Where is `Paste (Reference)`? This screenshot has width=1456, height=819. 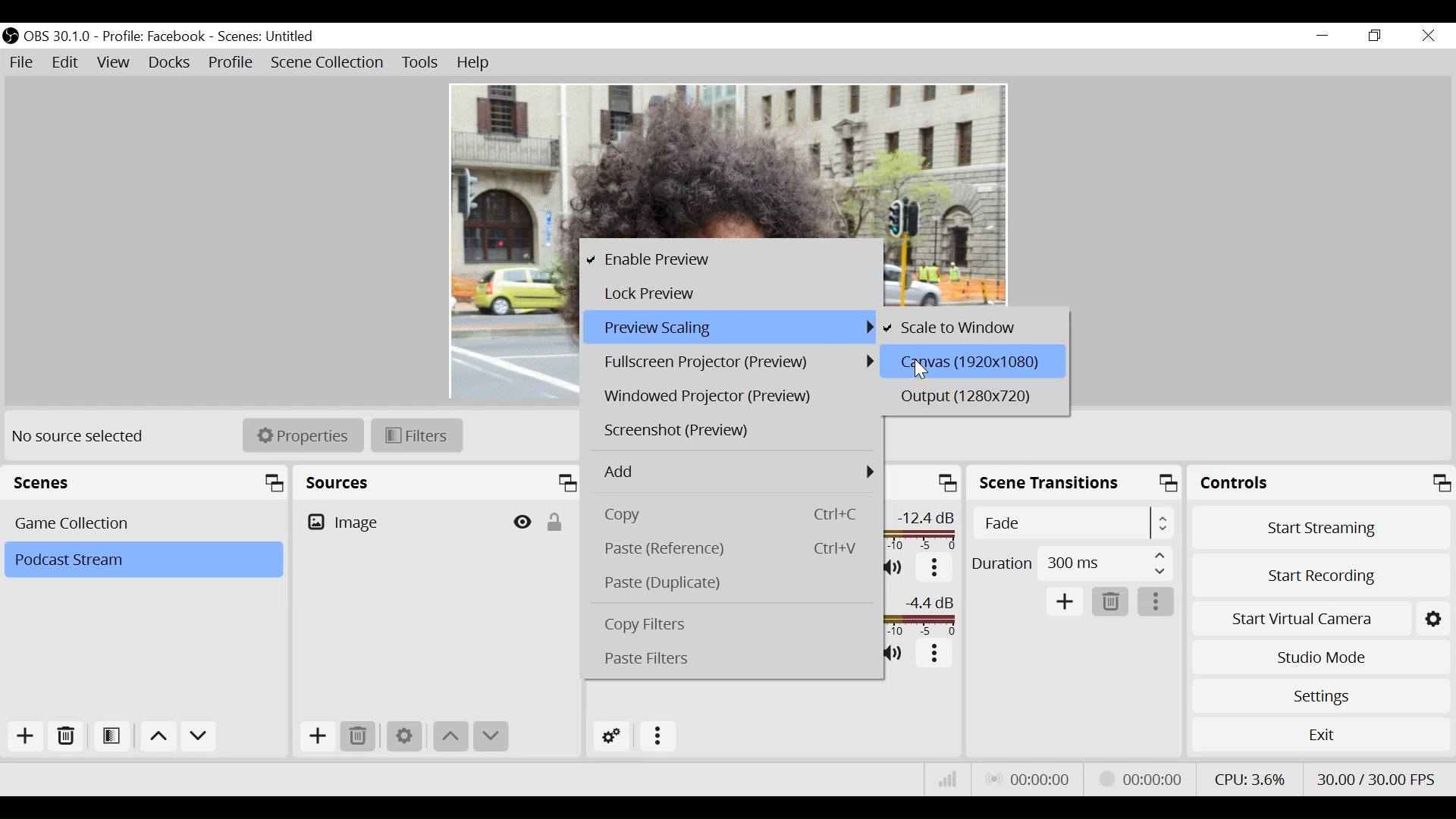
Paste (Reference) is located at coordinates (735, 548).